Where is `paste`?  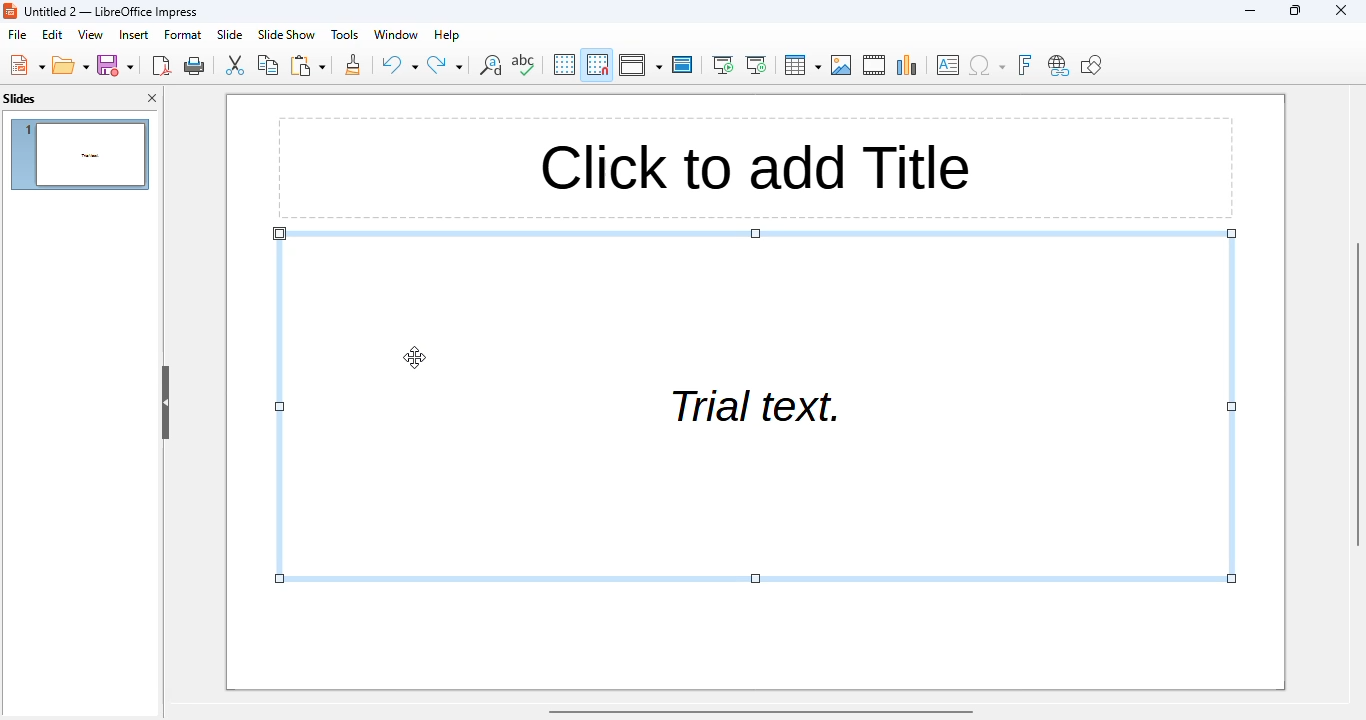
paste is located at coordinates (307, 65).